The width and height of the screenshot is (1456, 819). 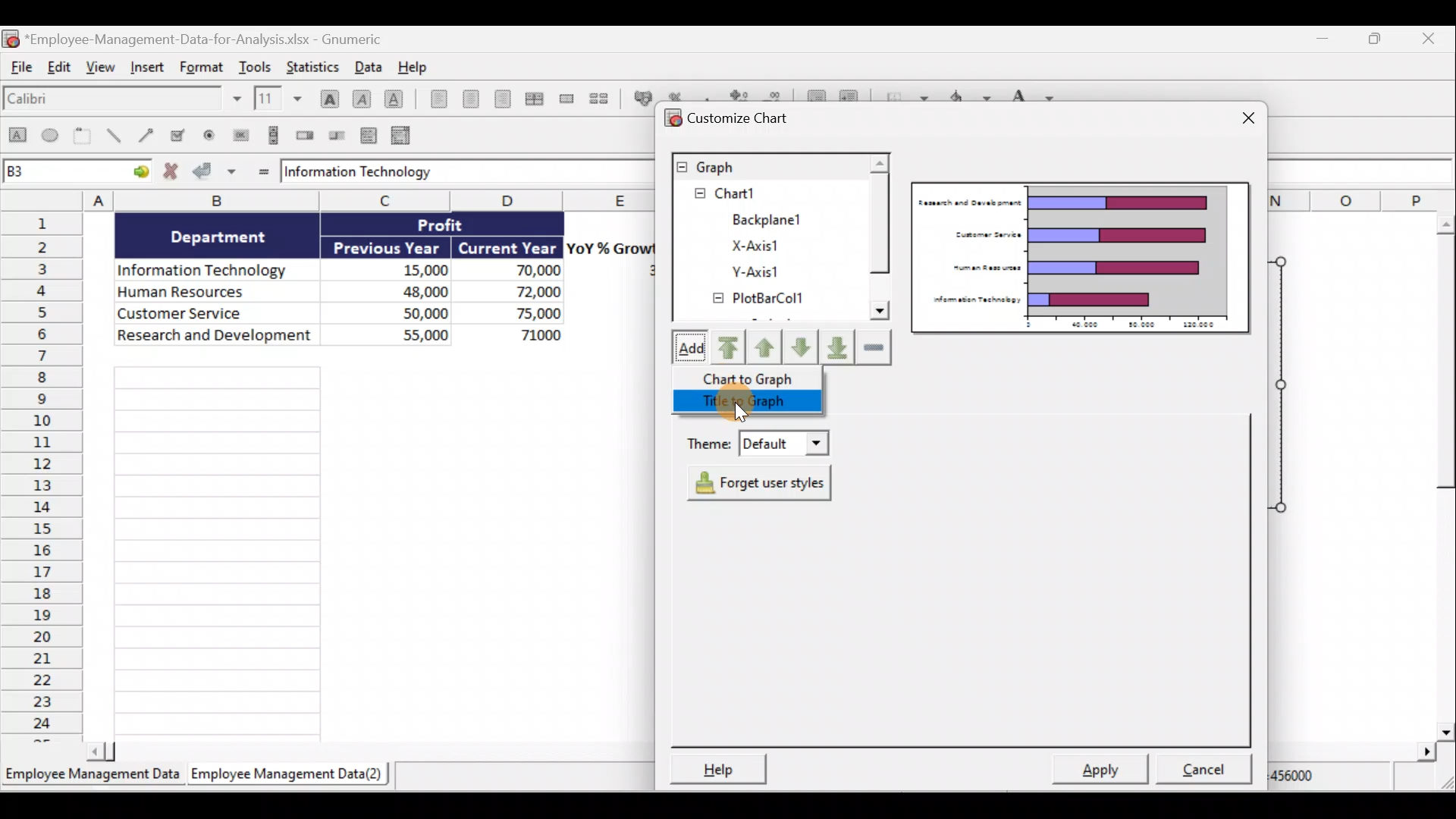 What do you see at coordinates (124, 100) in the screenshot?
I see `Font name` at bounding box center [124, 100].